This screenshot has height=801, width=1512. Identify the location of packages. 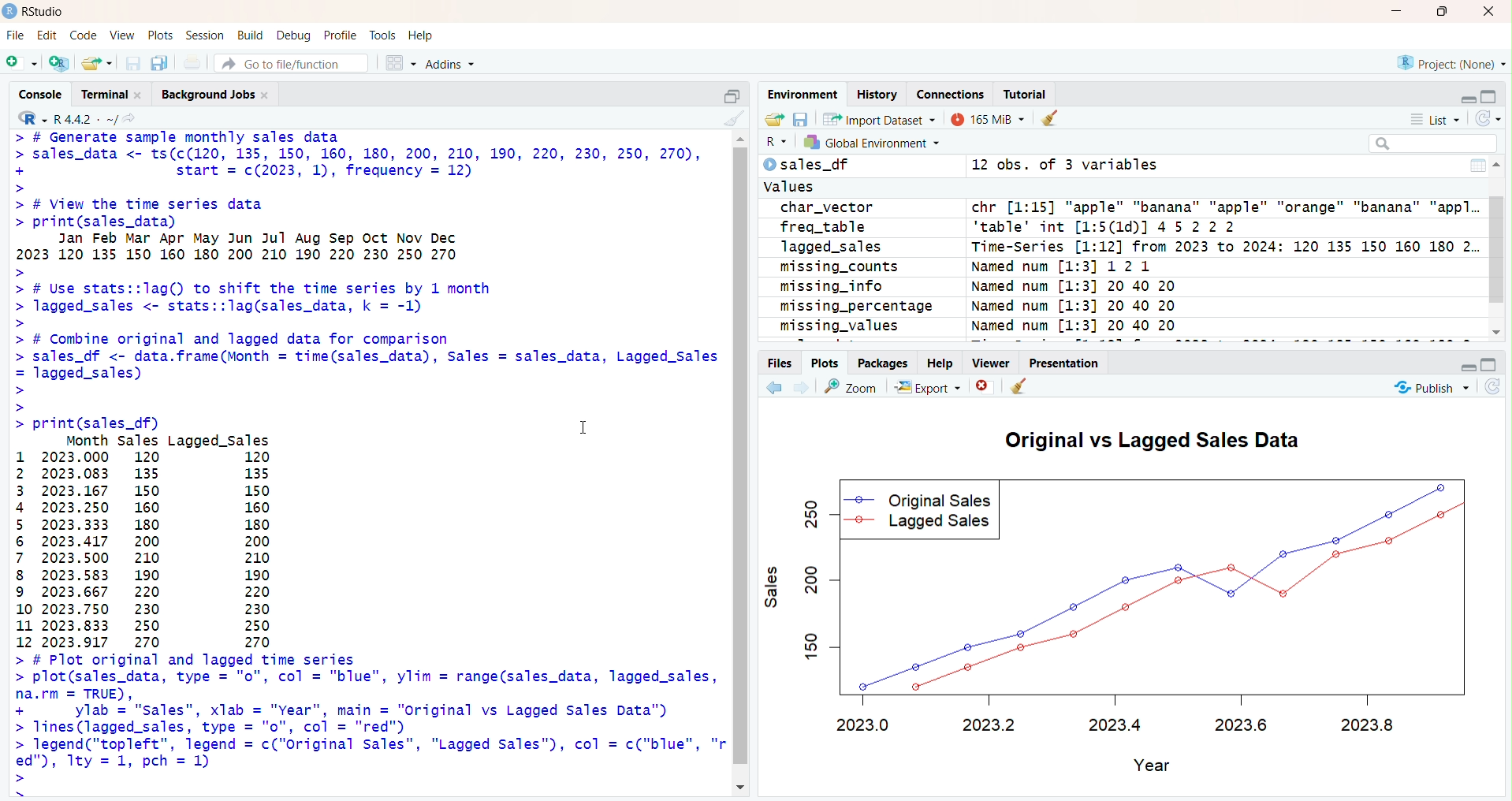
(881, 364).